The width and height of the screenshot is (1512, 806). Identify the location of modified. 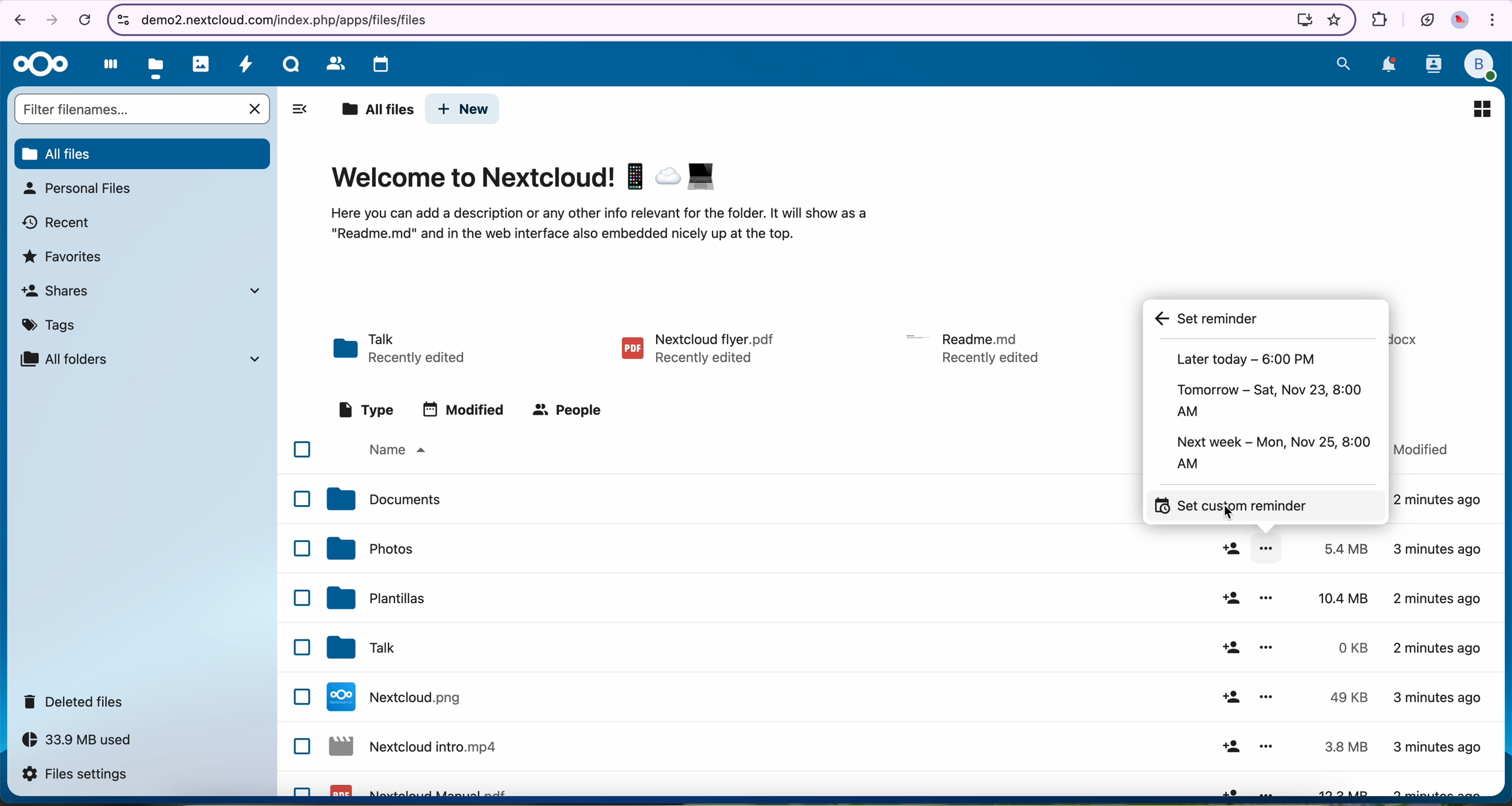
(464, 409).